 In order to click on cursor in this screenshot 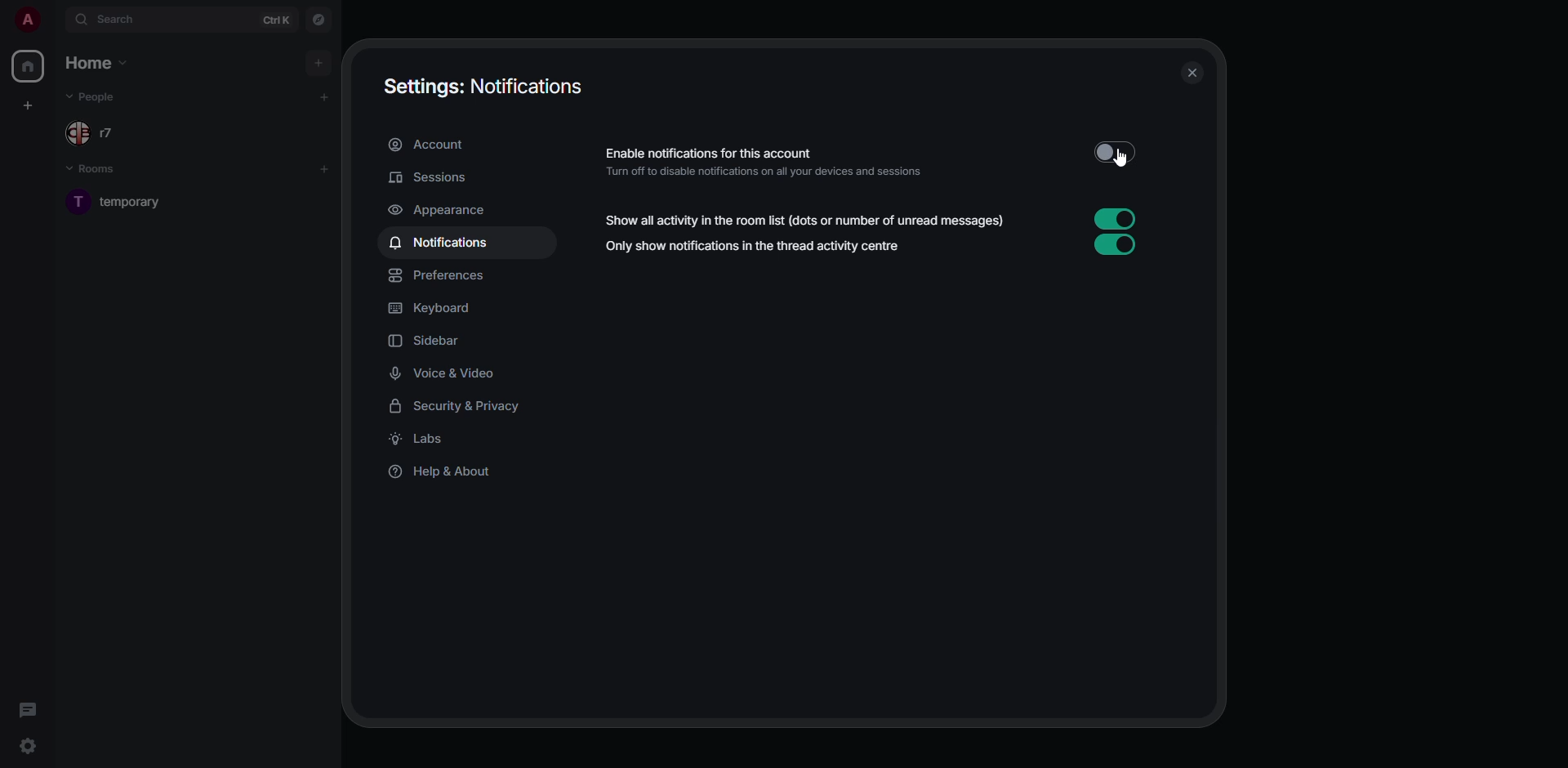, I will do `click(1118, 158)`.